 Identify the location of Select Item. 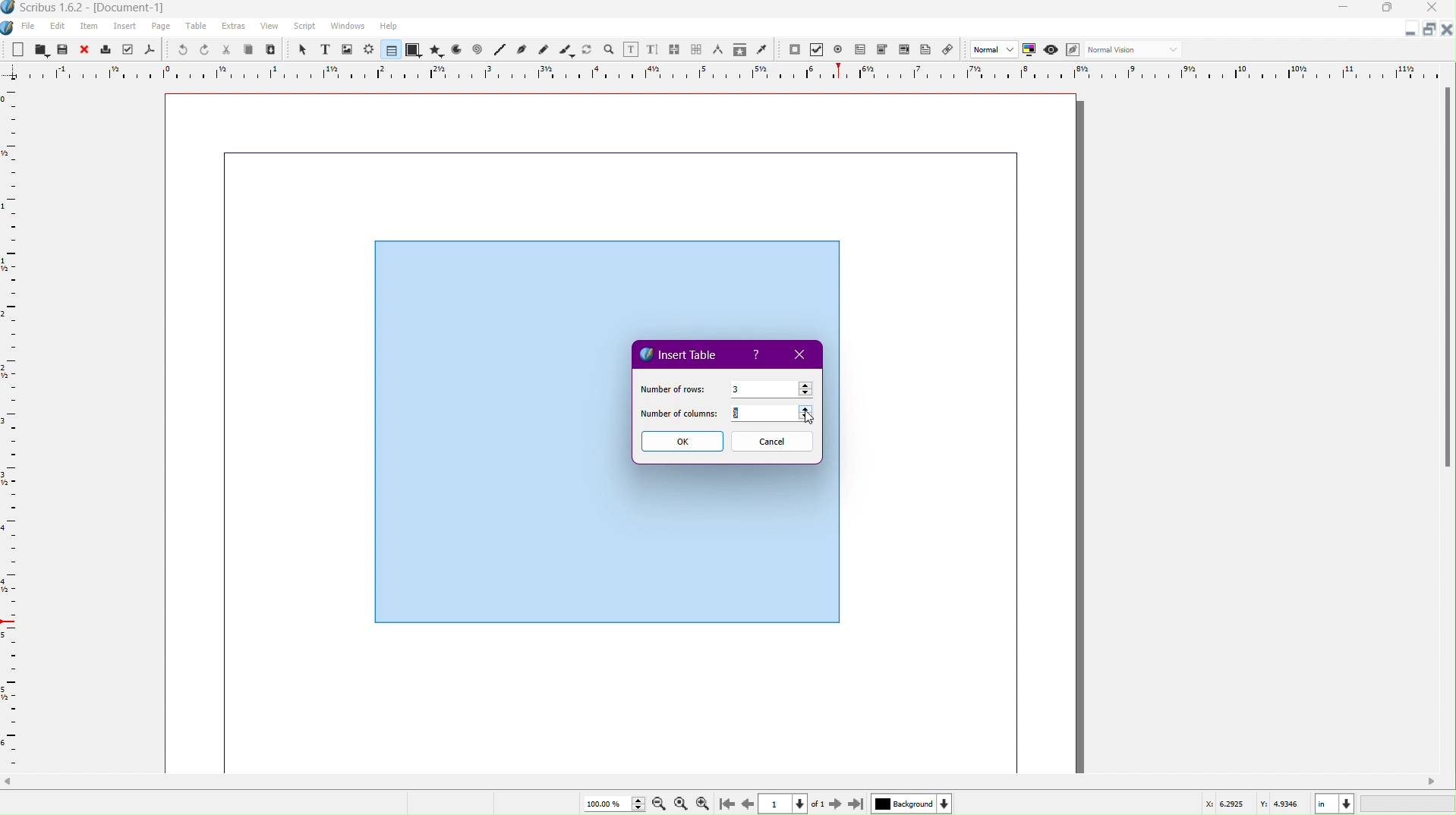
(301, 49).